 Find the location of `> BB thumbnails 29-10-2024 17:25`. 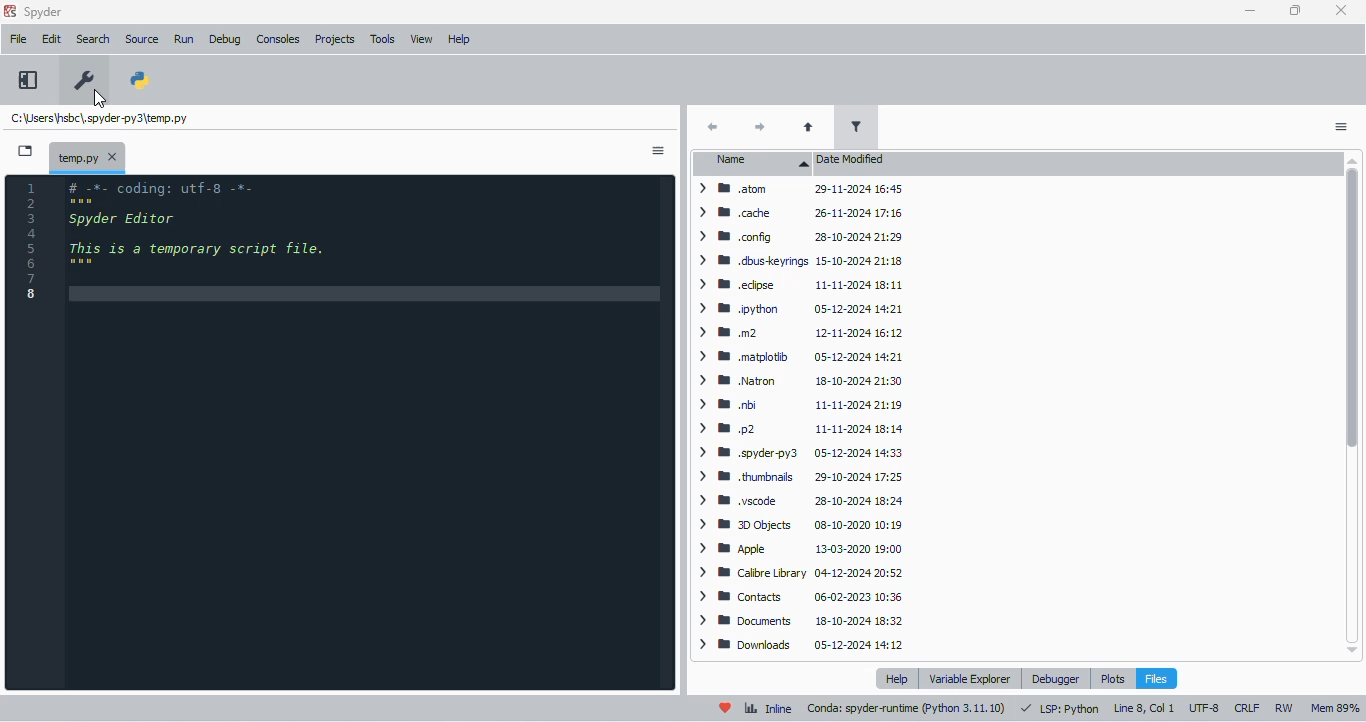

> BB thumbnails 29-10-2024 17:25 is located at coordinates (798, 477).